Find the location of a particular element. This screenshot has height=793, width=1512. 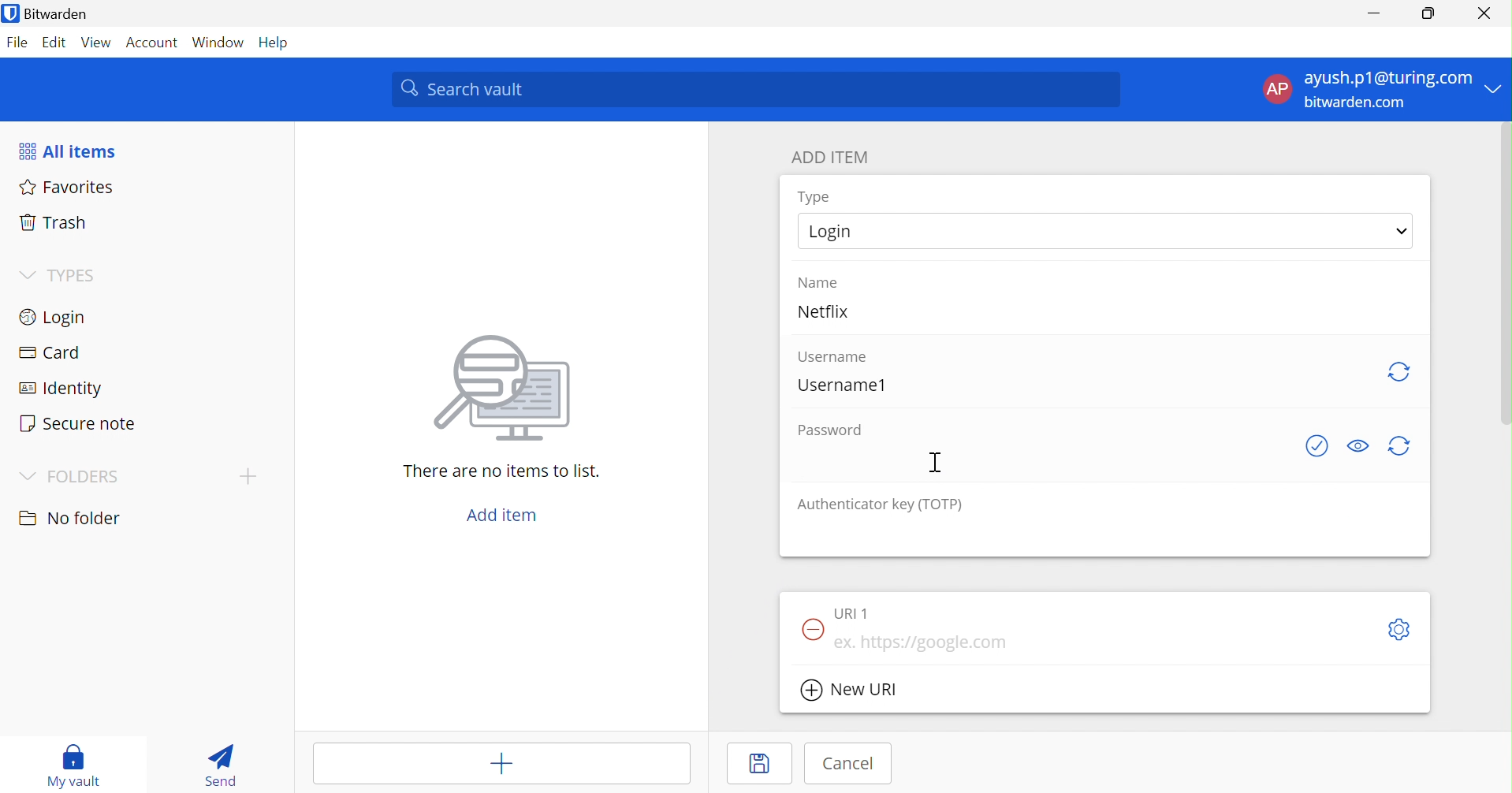

Add folder is located at coordinates (248, 477).